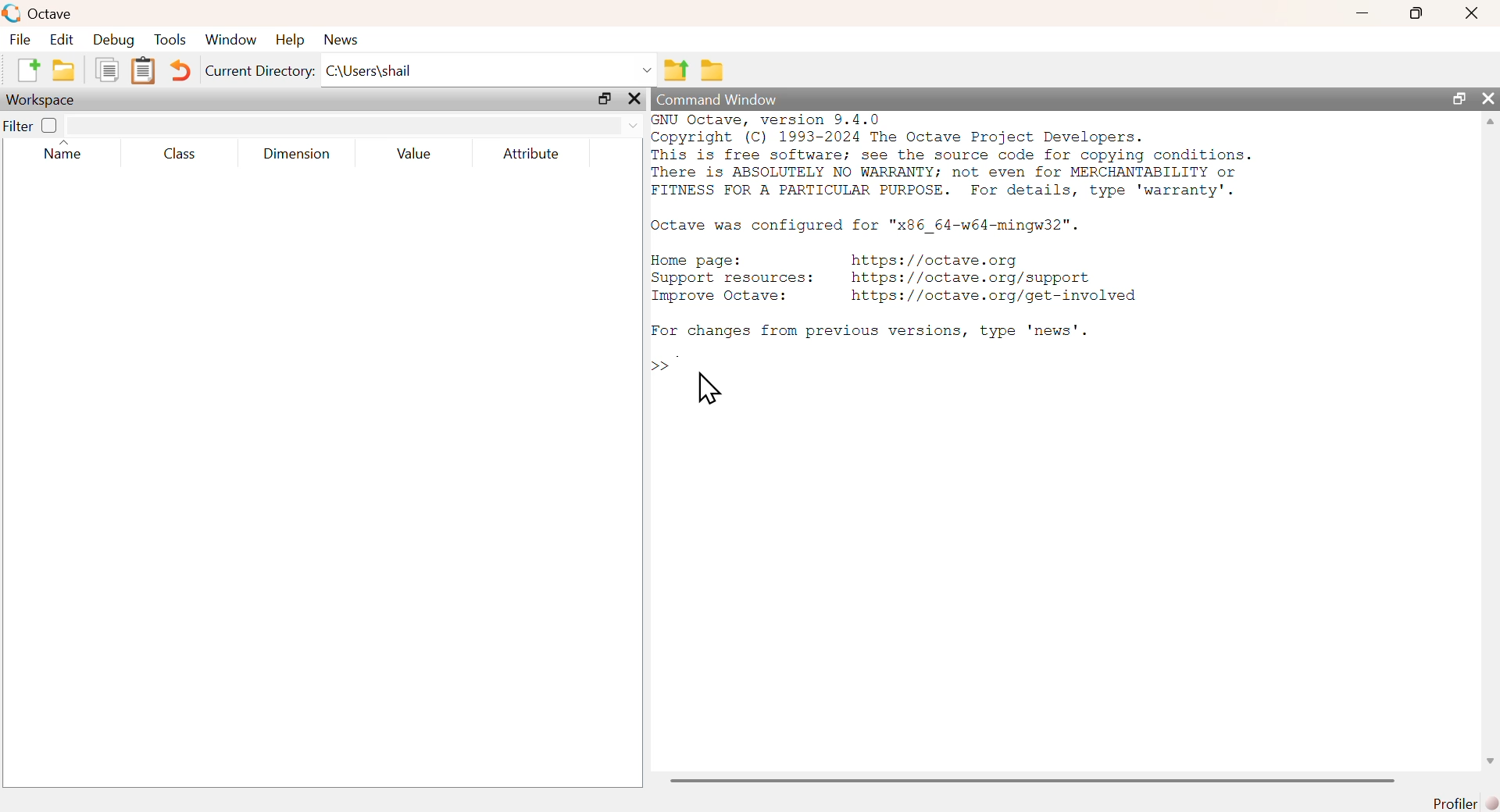 The width and height of the screenshot is (1500, 812). What do you see at coordinates (232, 40) in the screenshot?
I see `window` at bounding box center [232, 40].